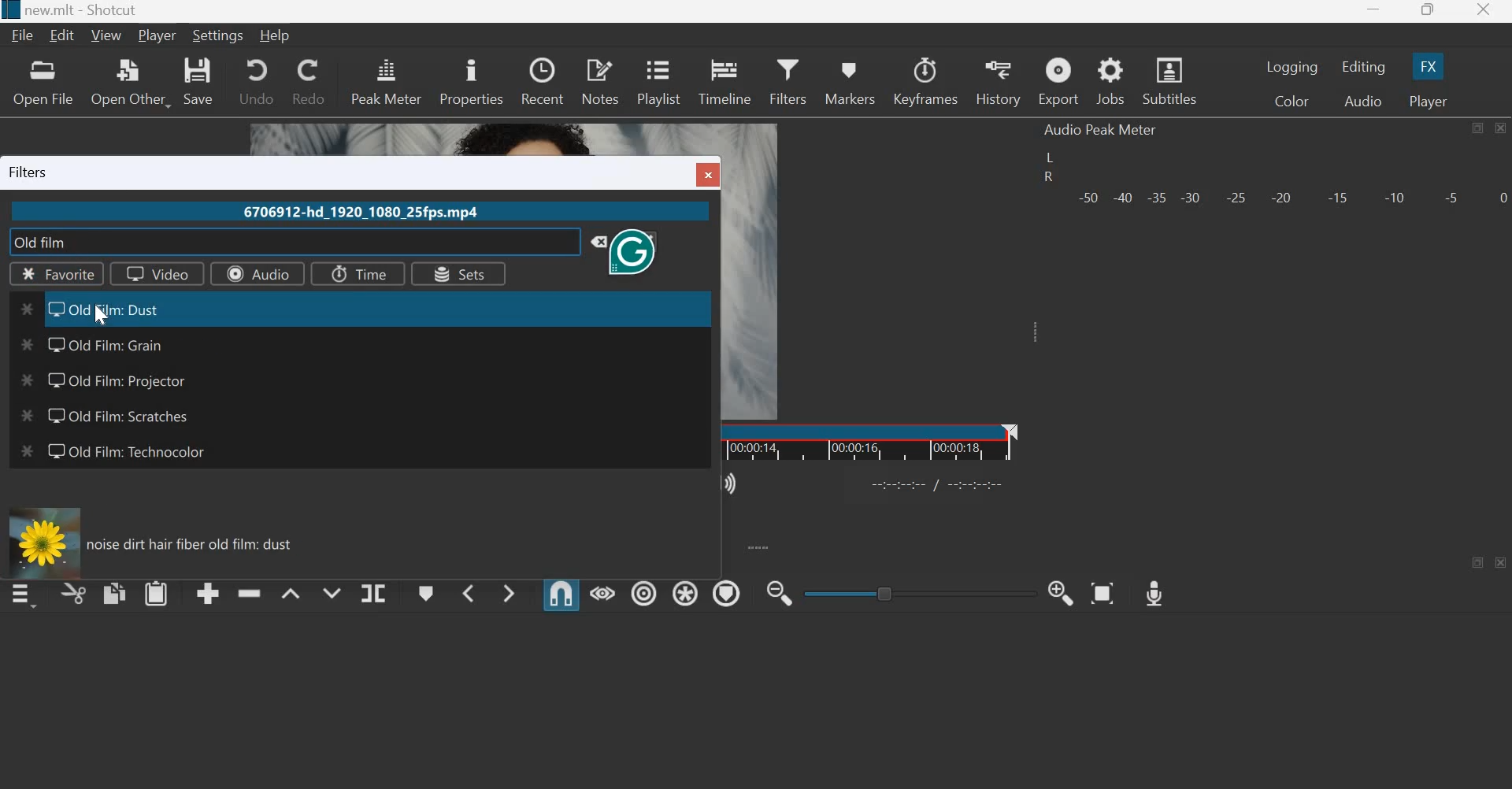 The width and height of the screenshot is (1512, 789). I want to click on append, so click(209, 593).